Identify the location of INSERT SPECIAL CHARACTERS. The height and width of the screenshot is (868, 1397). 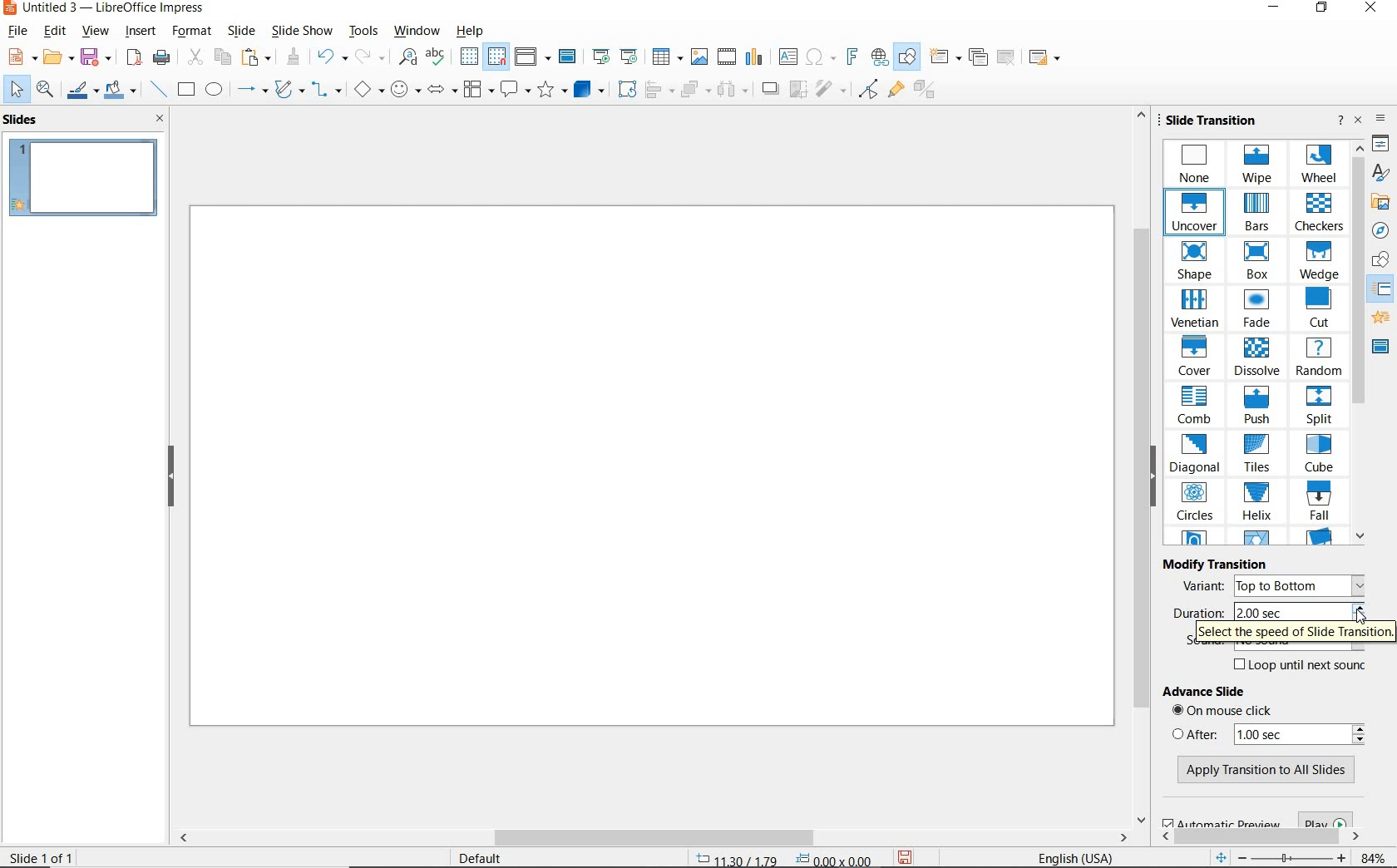
(819, 57).